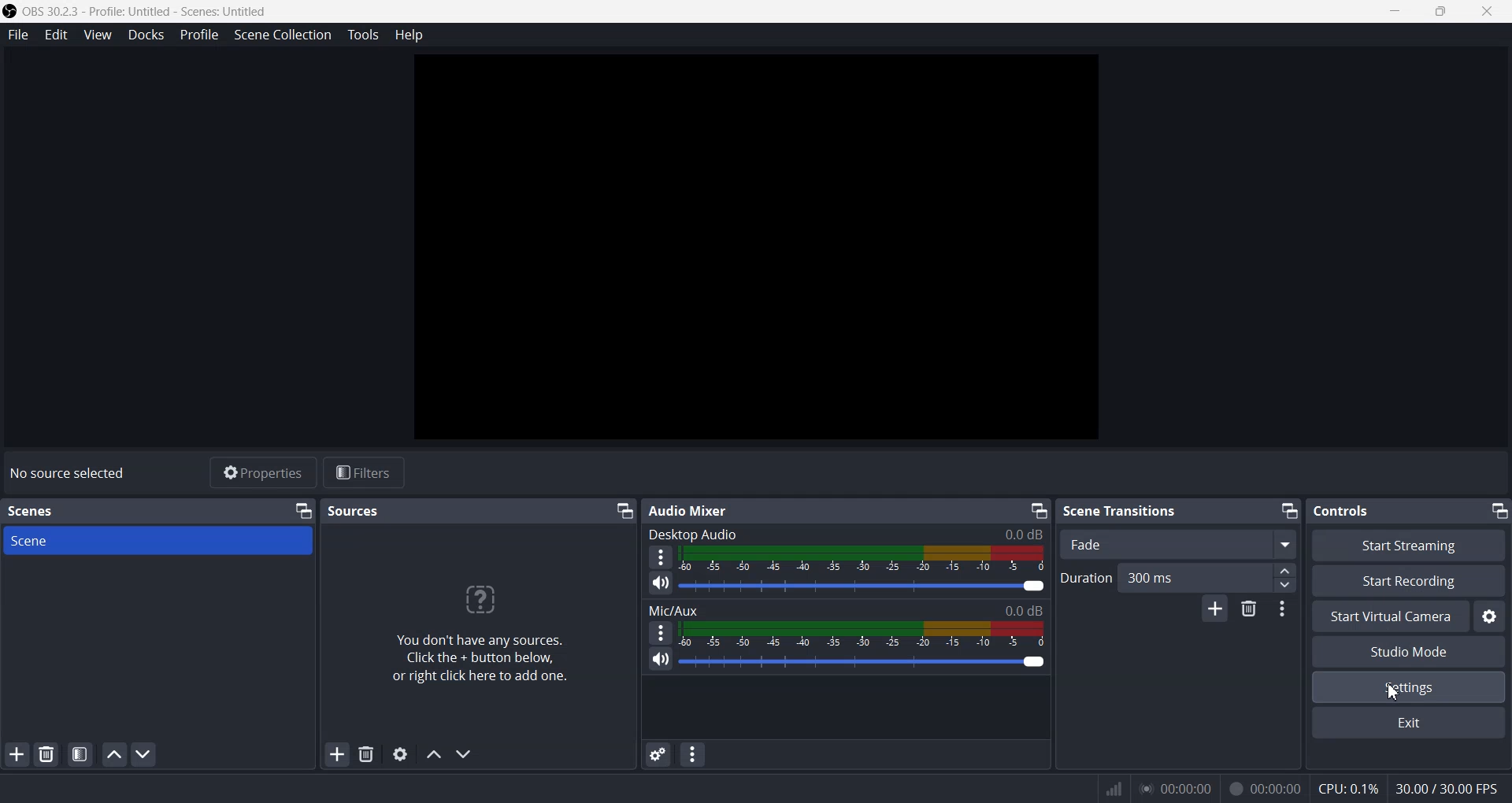 The width and height of the screenshot is (1512, 803). What do you see at coordinates (16, 754) in the screenshot?
I see `Add Scene` at bounding box center [16, 754].